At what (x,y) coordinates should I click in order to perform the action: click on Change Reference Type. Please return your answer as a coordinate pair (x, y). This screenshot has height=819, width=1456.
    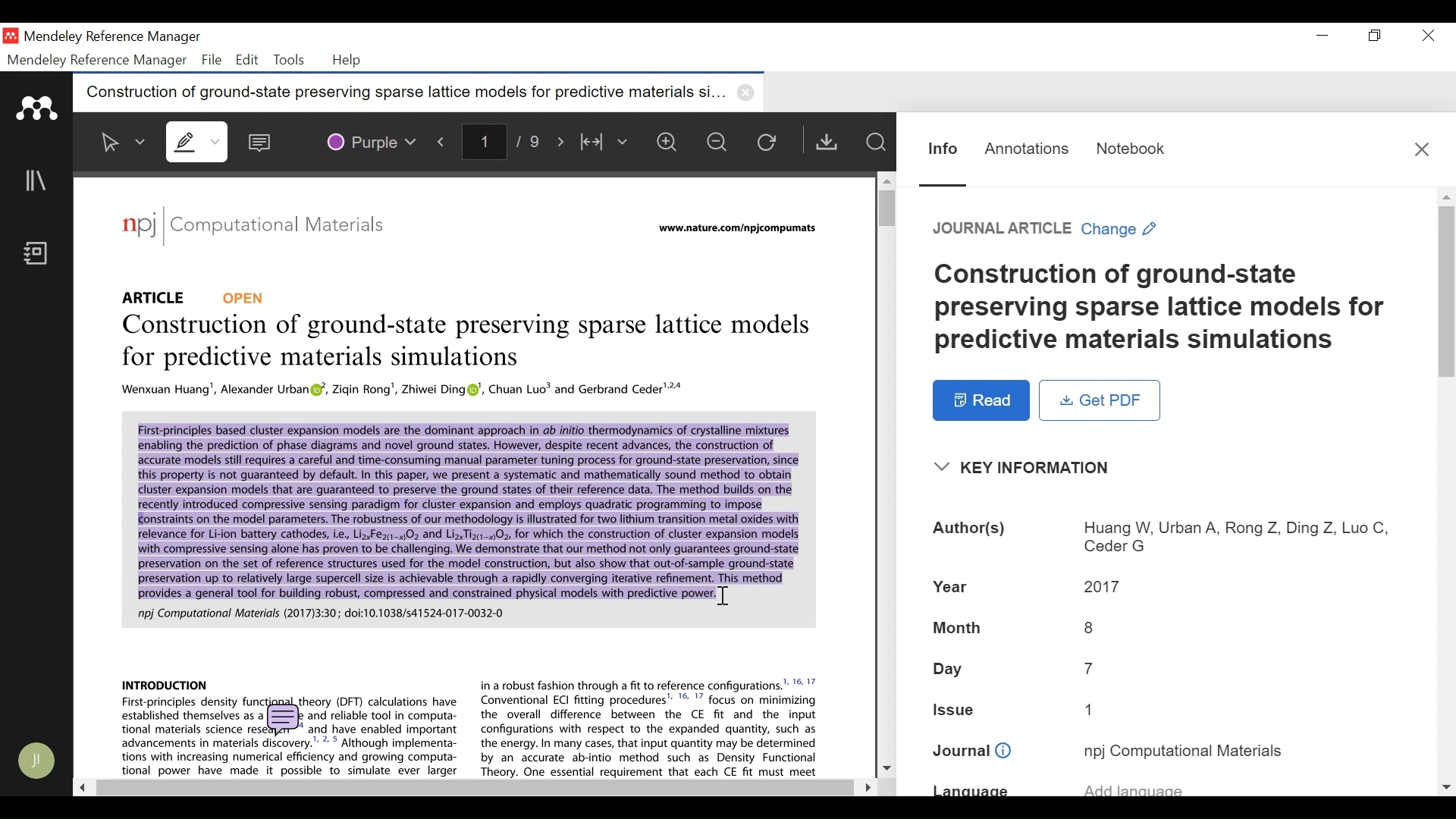
    Looking at the image, I should click on (1045, 228).